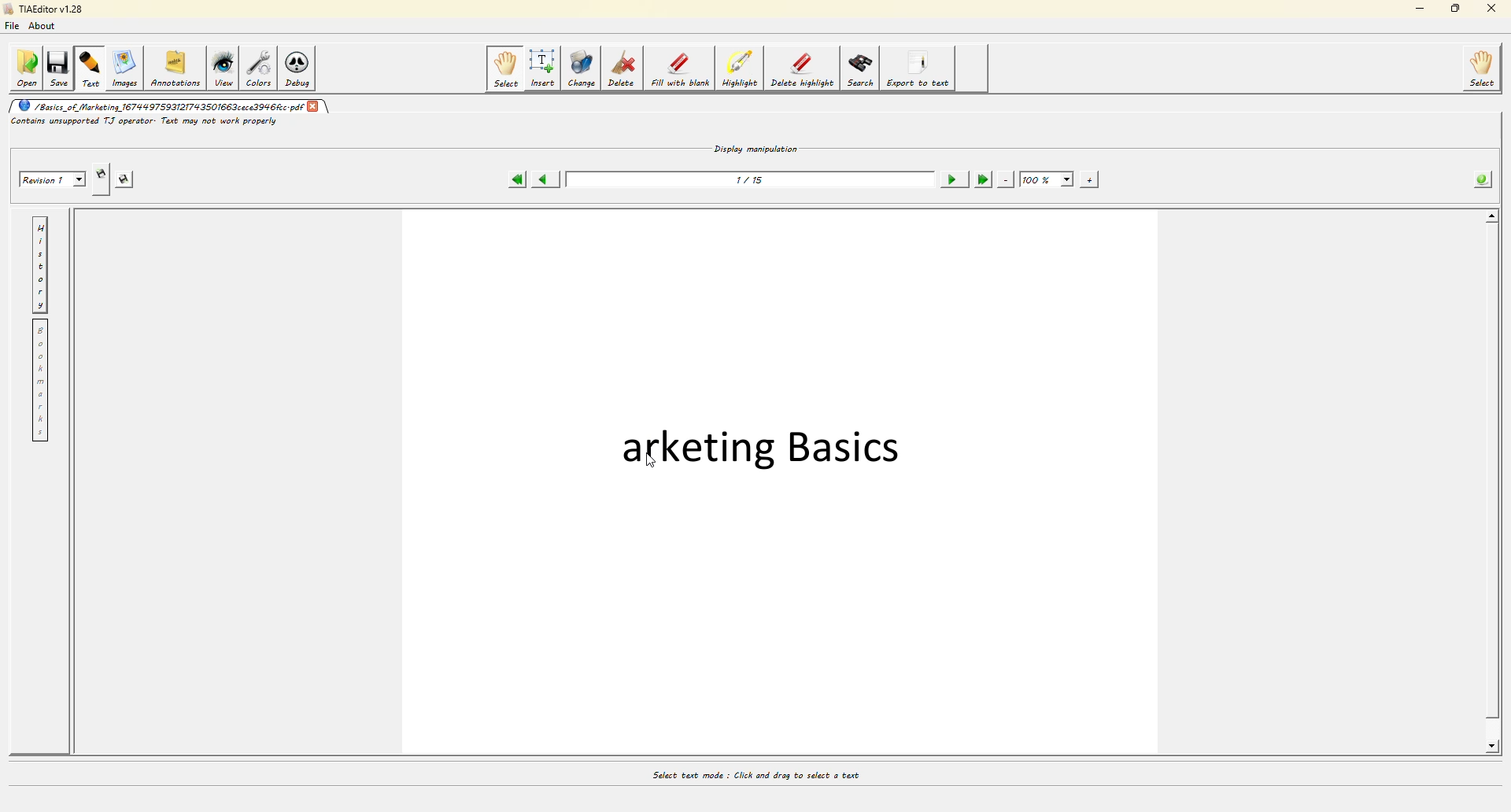 The image size is (1511, 812). What do you see at coordinates (754, 773) in the screenshot?
I see `select text mode` at bounding box center [754, 773].